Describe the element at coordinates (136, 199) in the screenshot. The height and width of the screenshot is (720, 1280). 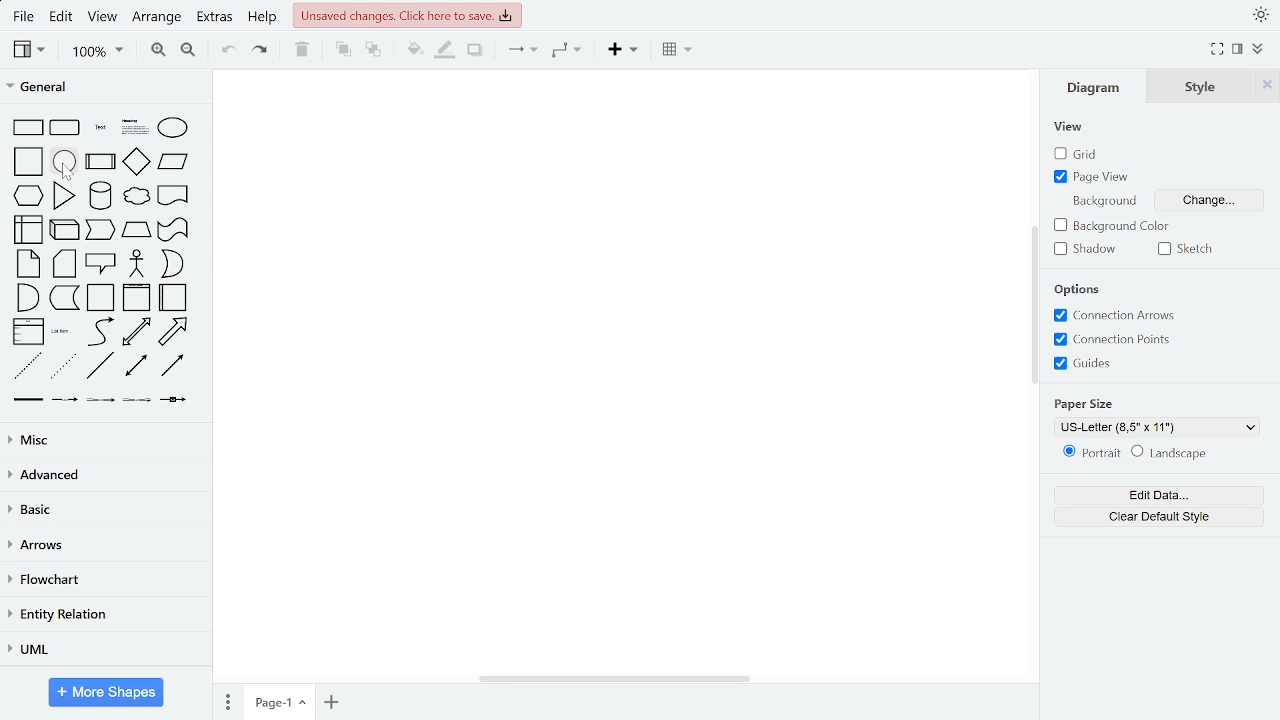
I see `cloud` at that location.